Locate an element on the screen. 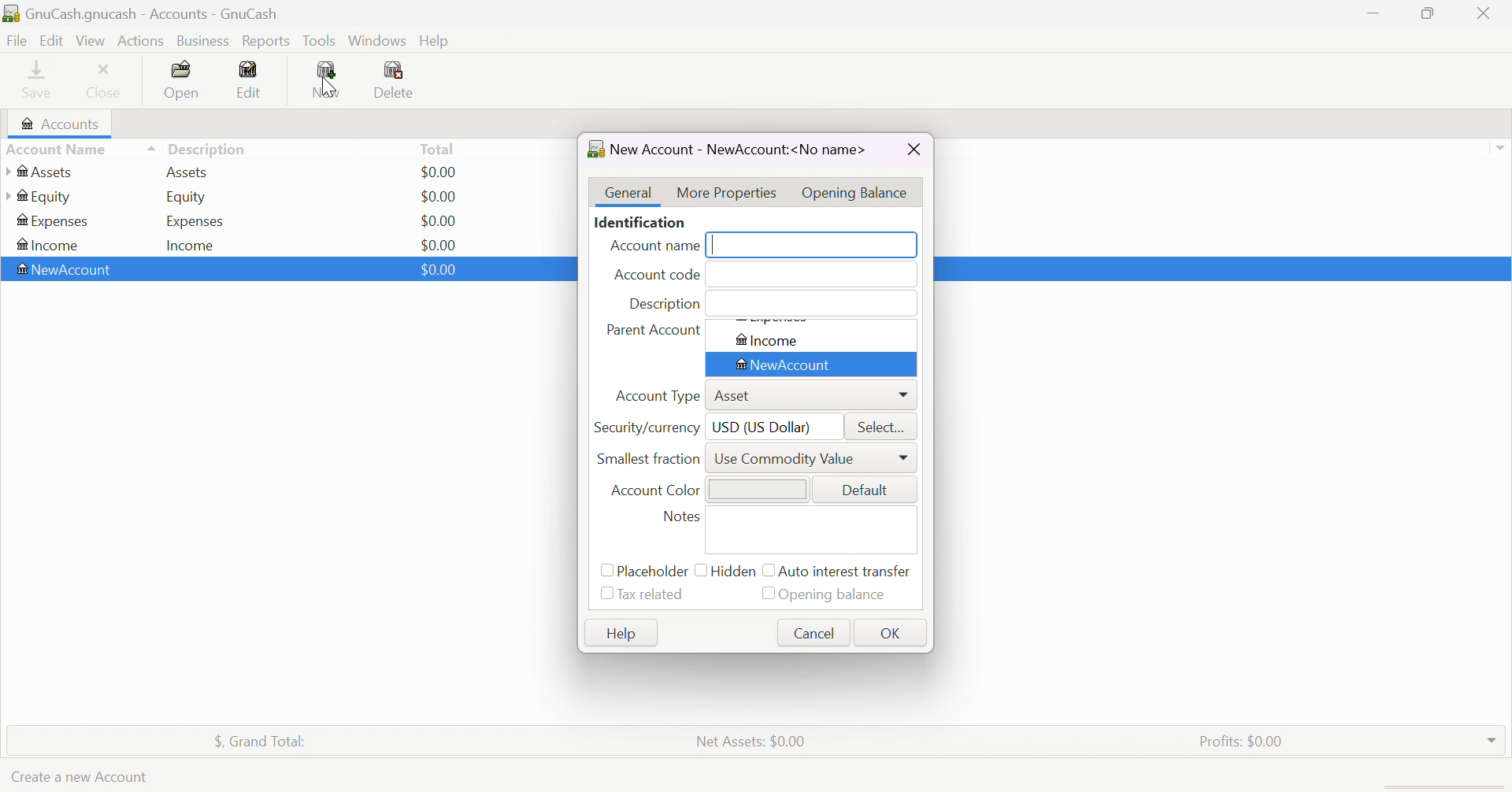 Image resolution: width=1512 pixels, height=792 pixels. Opening Balance is located at coordinates (858, 192).